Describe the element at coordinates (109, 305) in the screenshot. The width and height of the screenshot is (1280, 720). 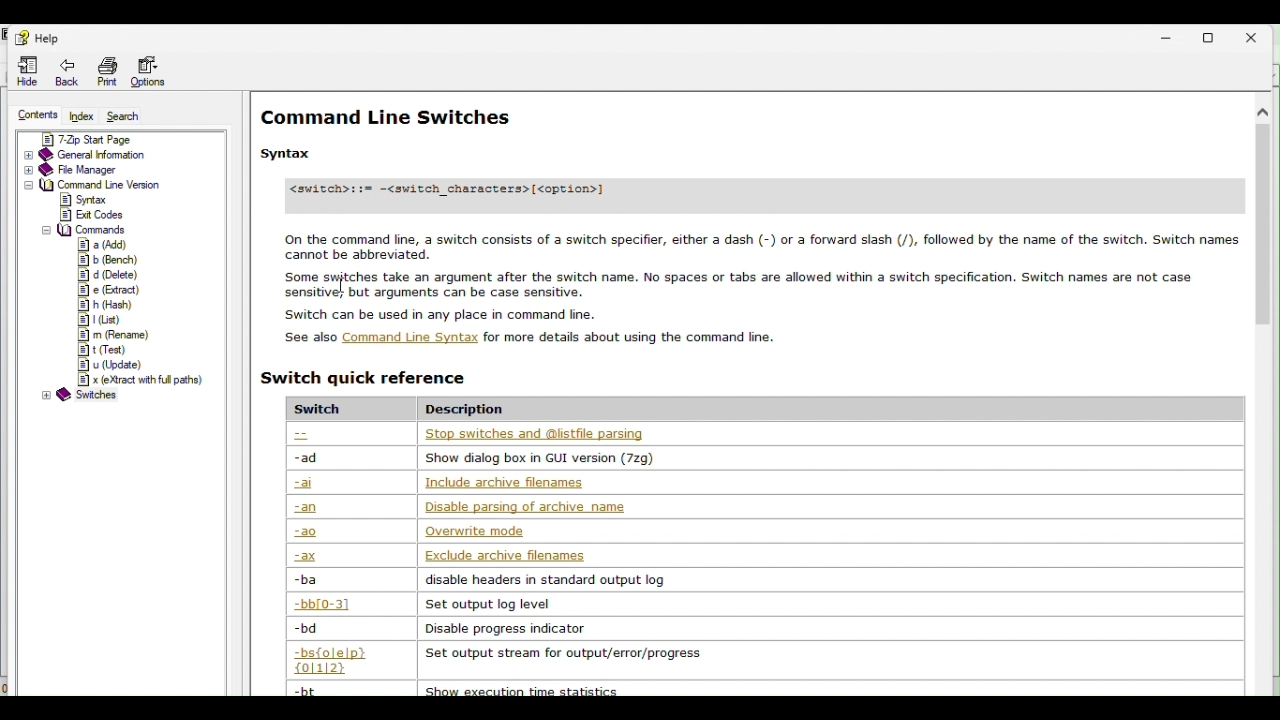
I see `h` at that location.